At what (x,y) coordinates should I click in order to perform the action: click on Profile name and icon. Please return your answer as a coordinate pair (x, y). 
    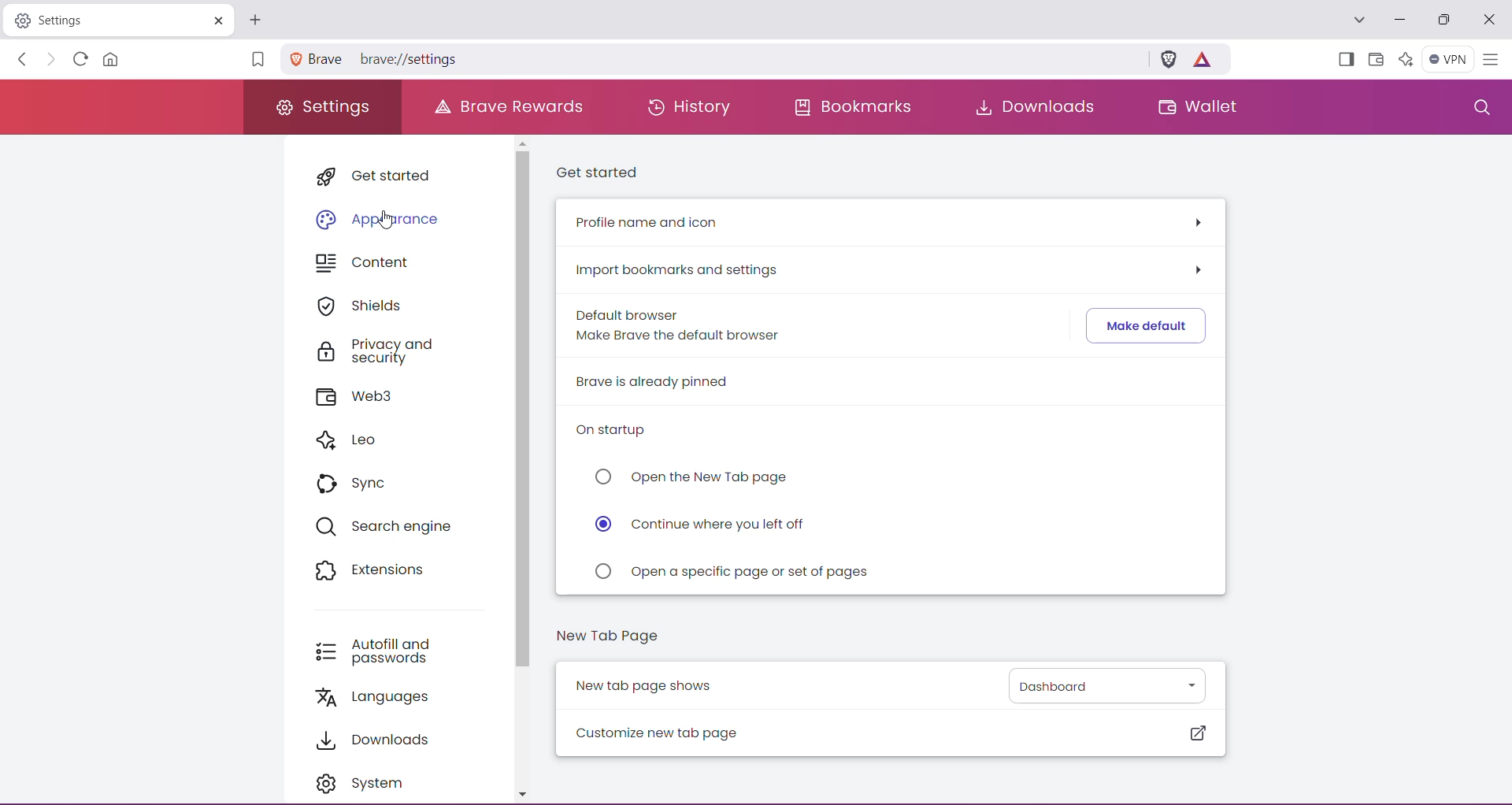
    Looking at the image, I should click on (652, 221).